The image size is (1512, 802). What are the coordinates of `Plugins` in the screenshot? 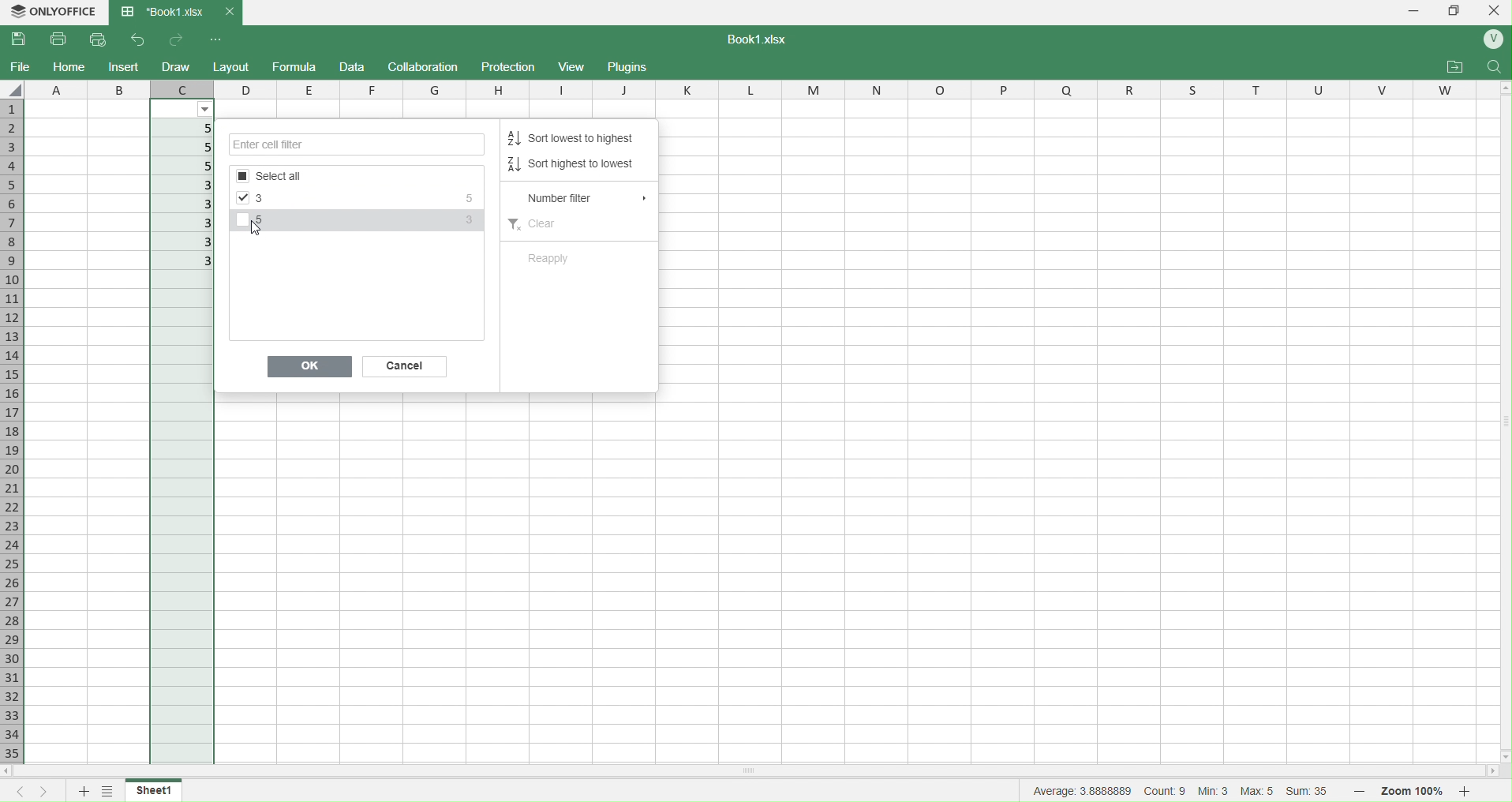 It's located at (627, 66).